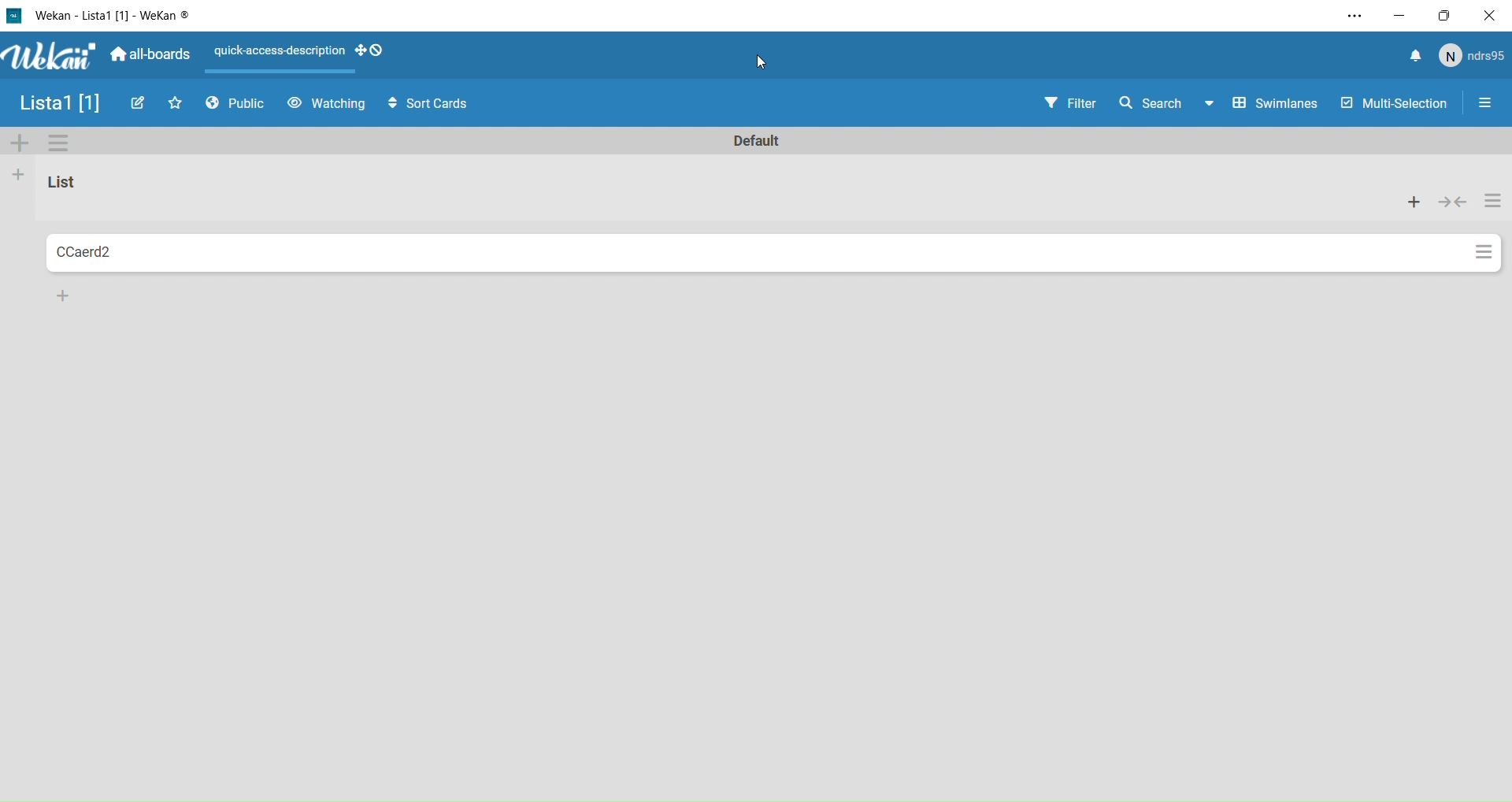  I want to click on Layout Actions, so click(276, 52).